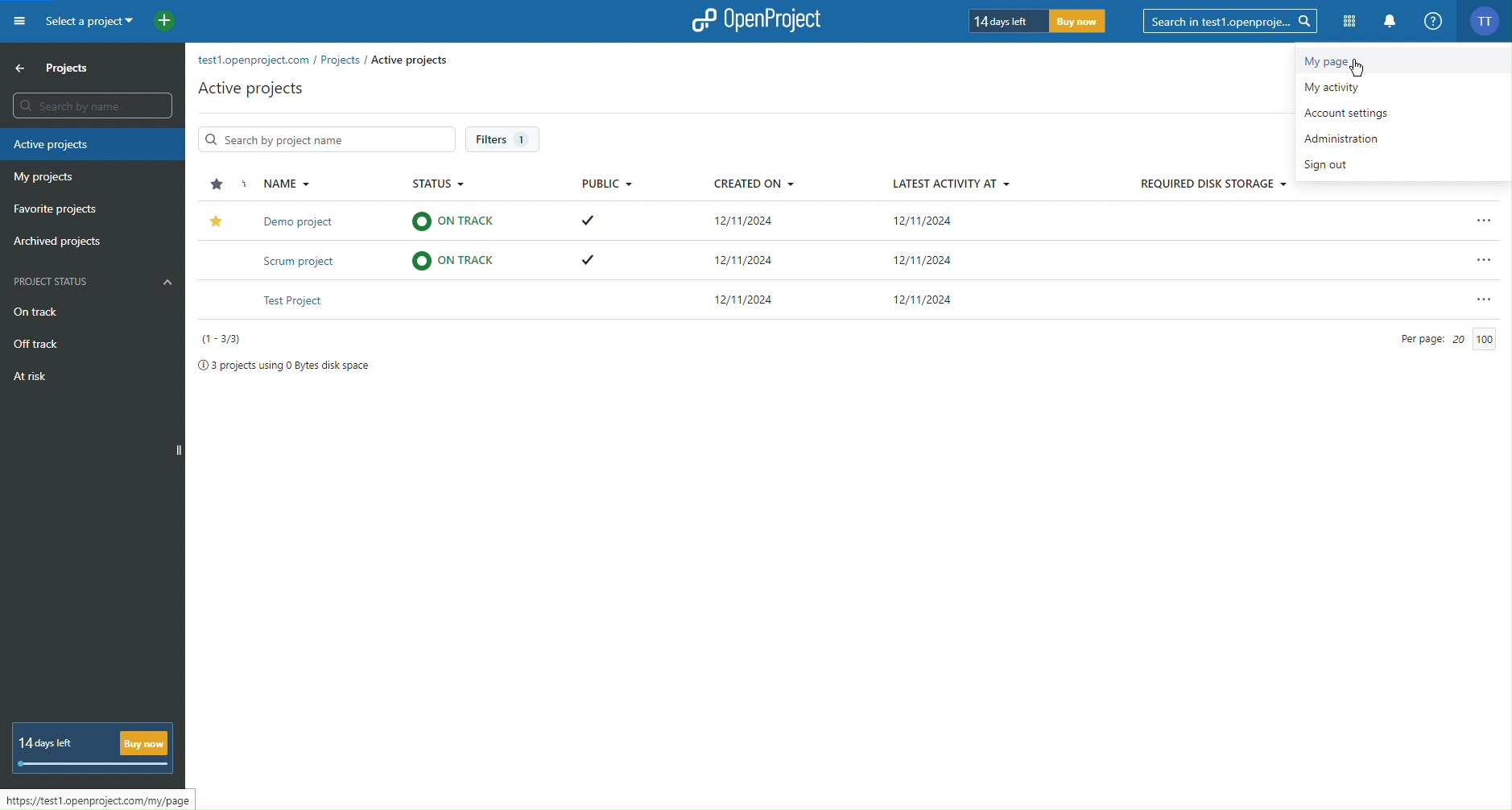 The height and width of the screenshot is (810, 1512). Describe the element at coordinates (437, 182) in the screenshot. I see `Status` at that location.